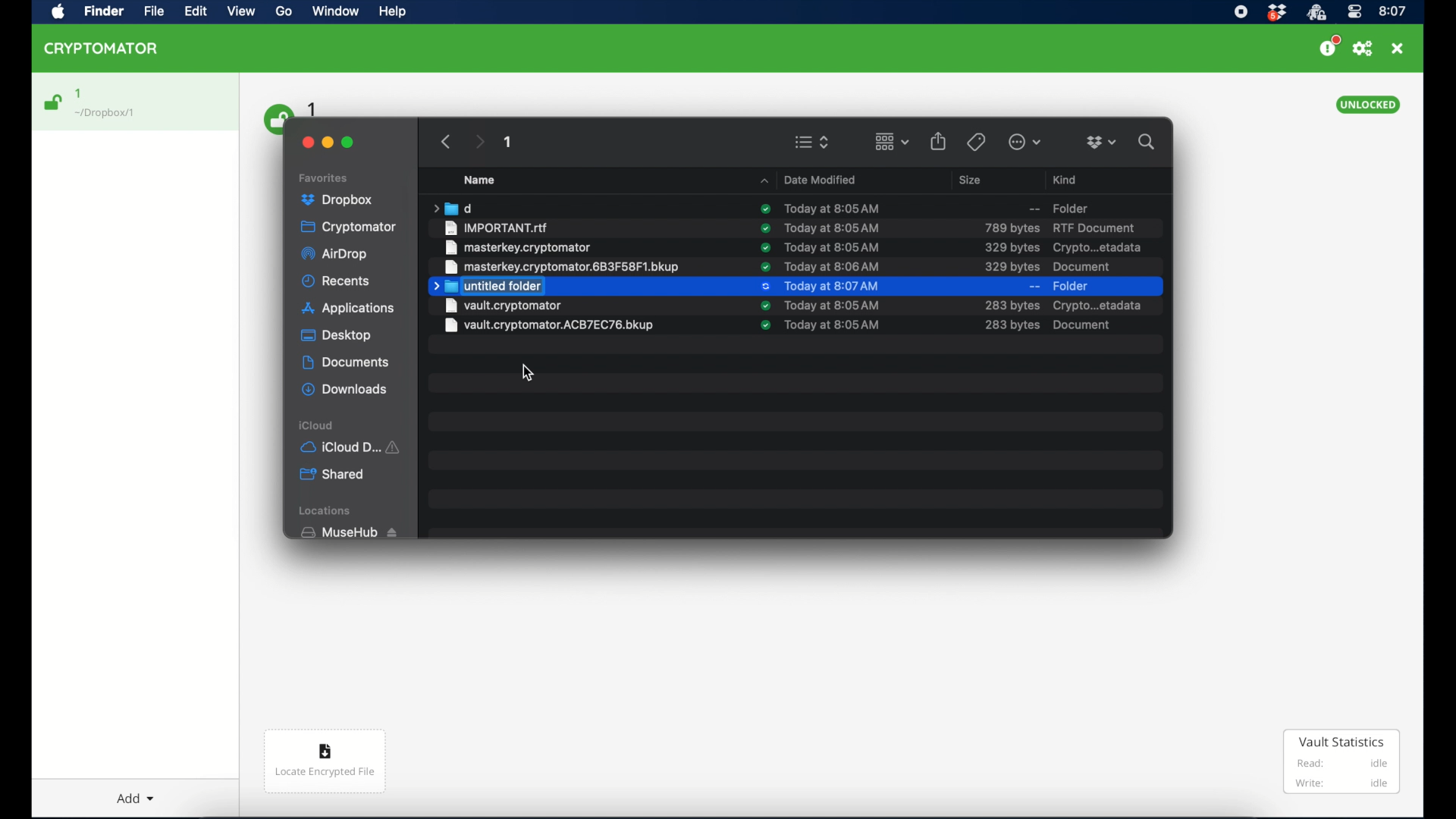 This screenshot has height=819, width=1456. I want to click on screen recorder icon, so click(1241, 11).